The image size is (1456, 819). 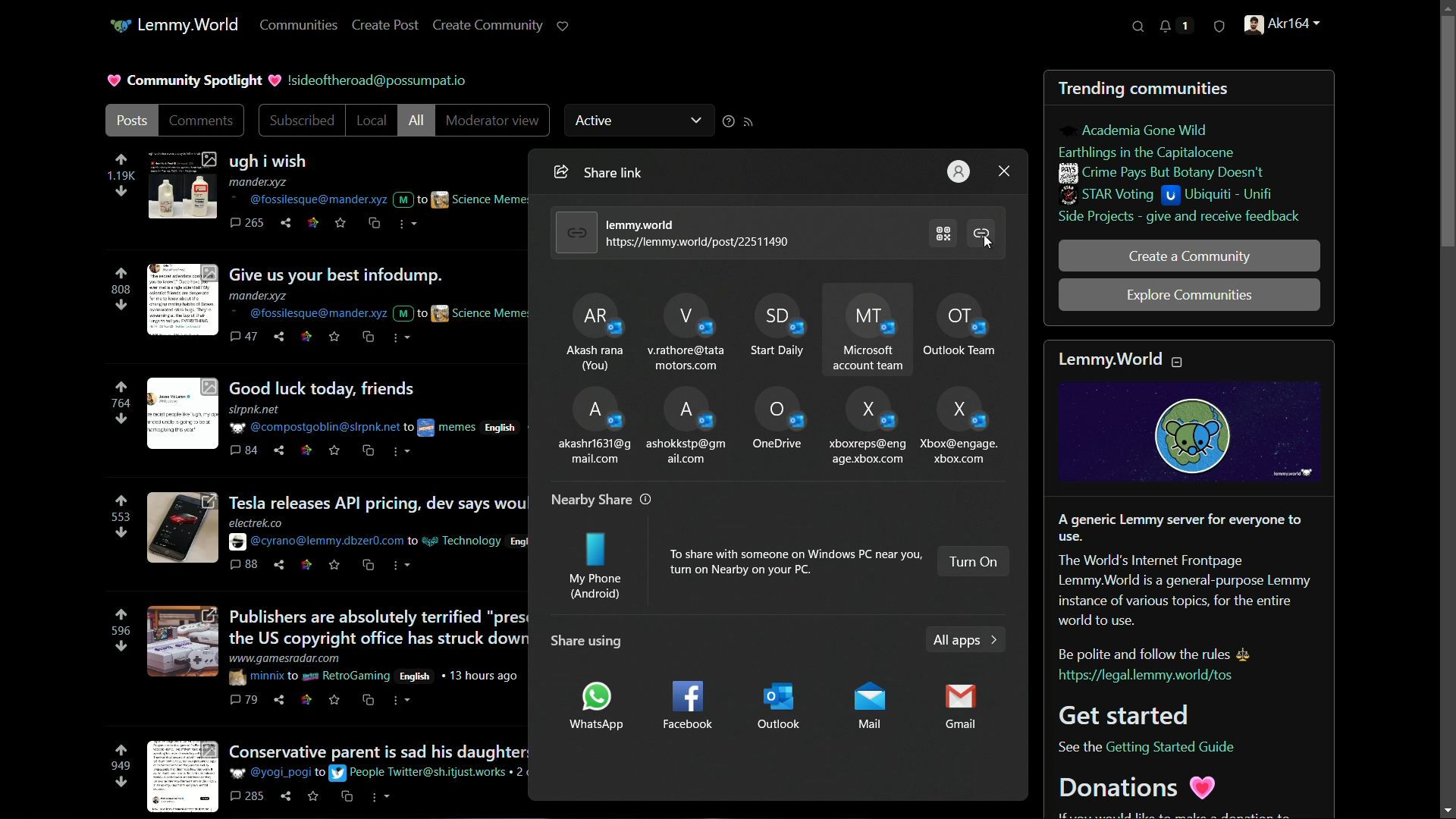 What do you see at coordinates (122, 403) in the screenshot?
I see `764` at bounding box center [122, 403].